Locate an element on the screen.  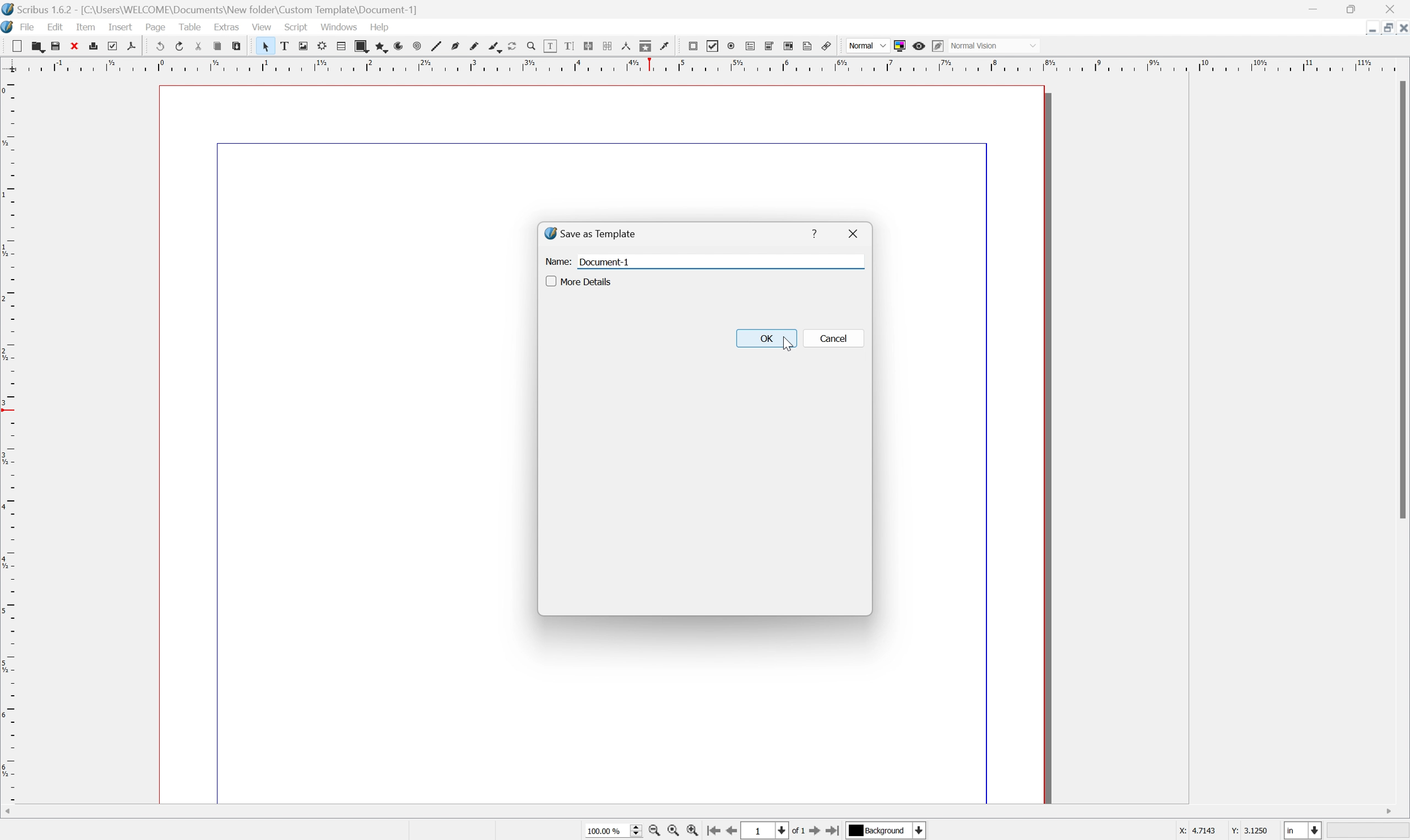
bezier curve is located at coordinates (456, 45).